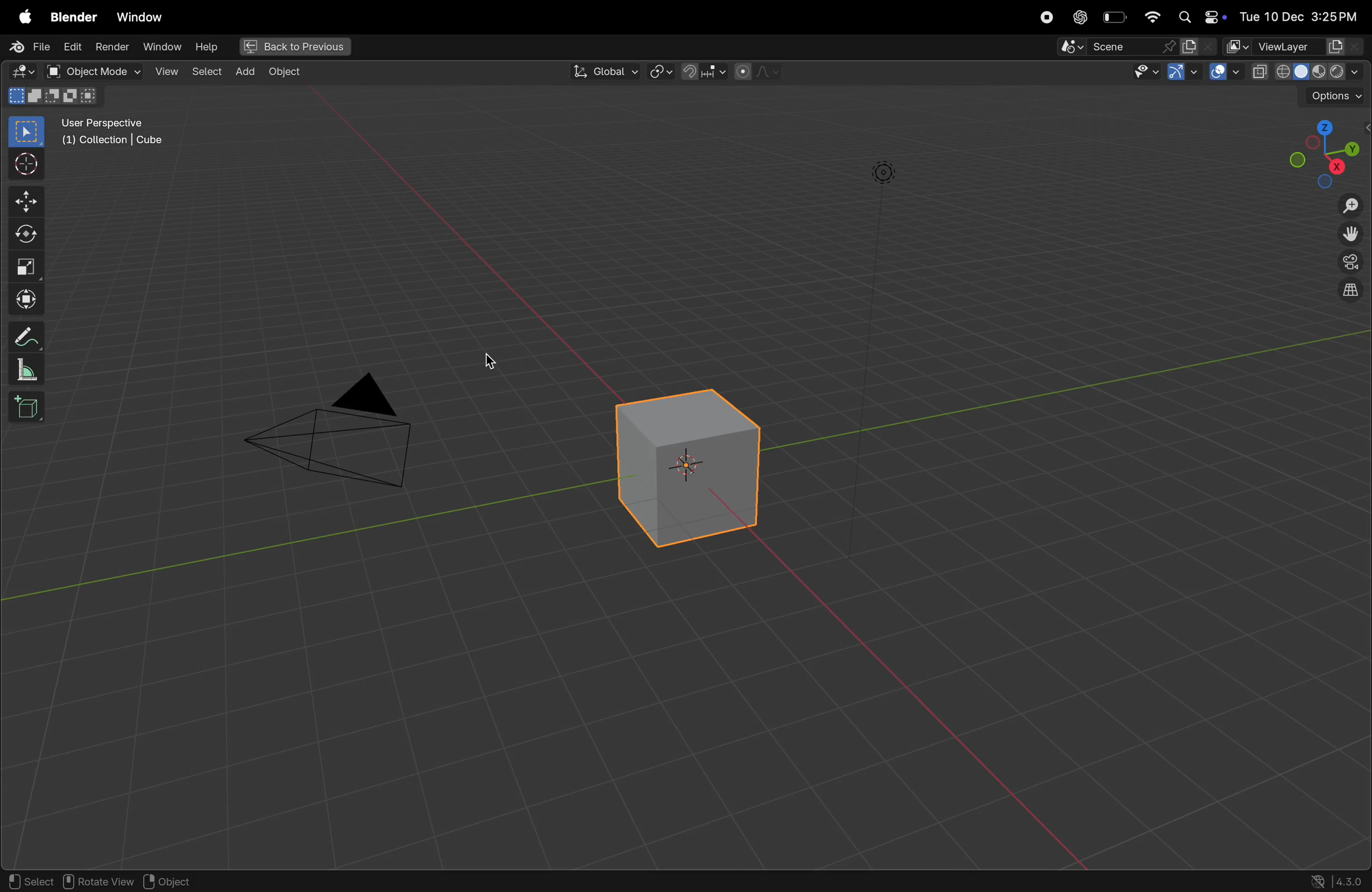 The image size is (1372, 892). What do you see at coordinates (22, 133) in the screenshot?
I see `select` at bounding box center [22, 133].